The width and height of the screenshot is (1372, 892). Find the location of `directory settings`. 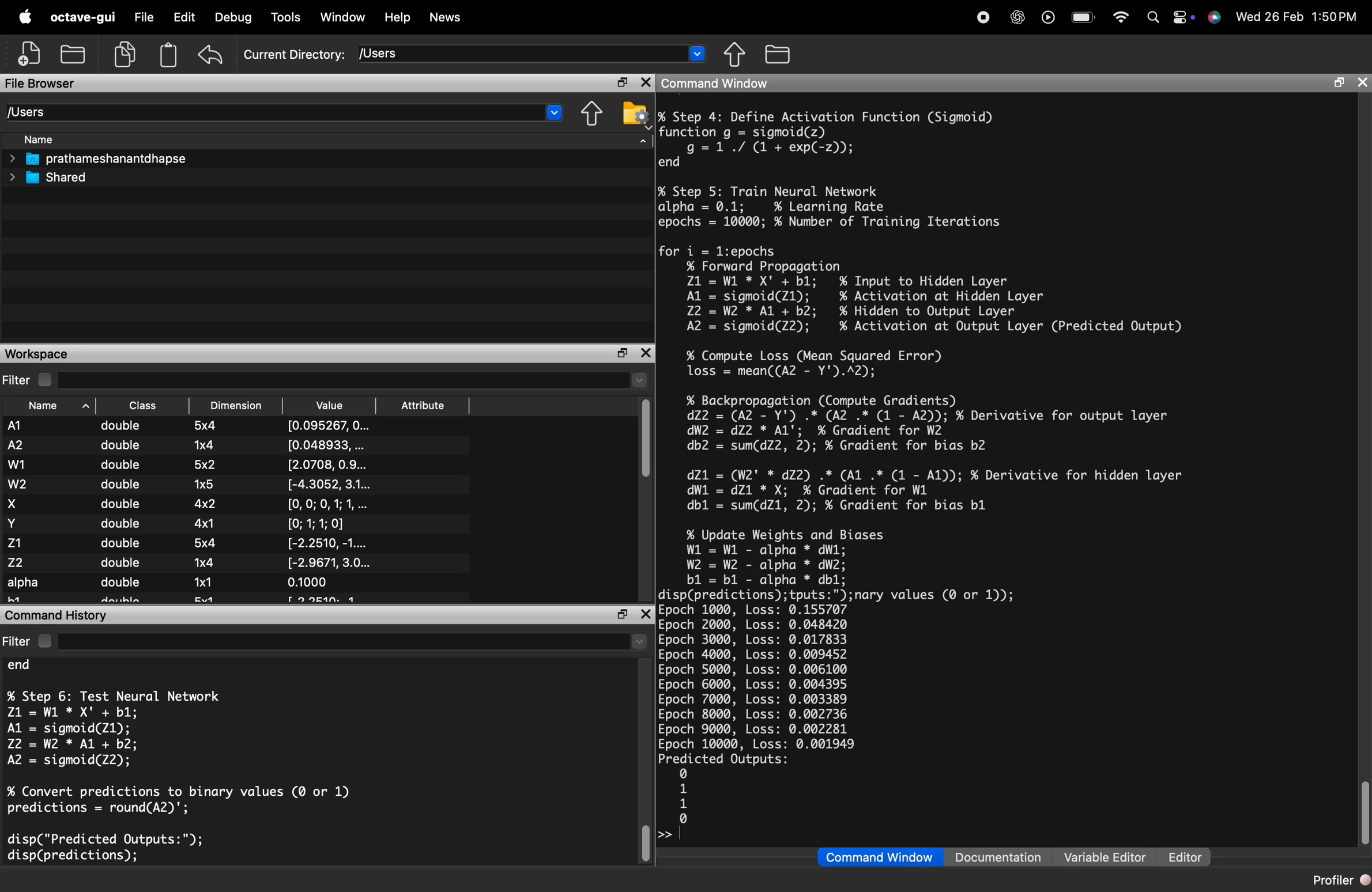

directory settings is located at coordinates (633, 112).